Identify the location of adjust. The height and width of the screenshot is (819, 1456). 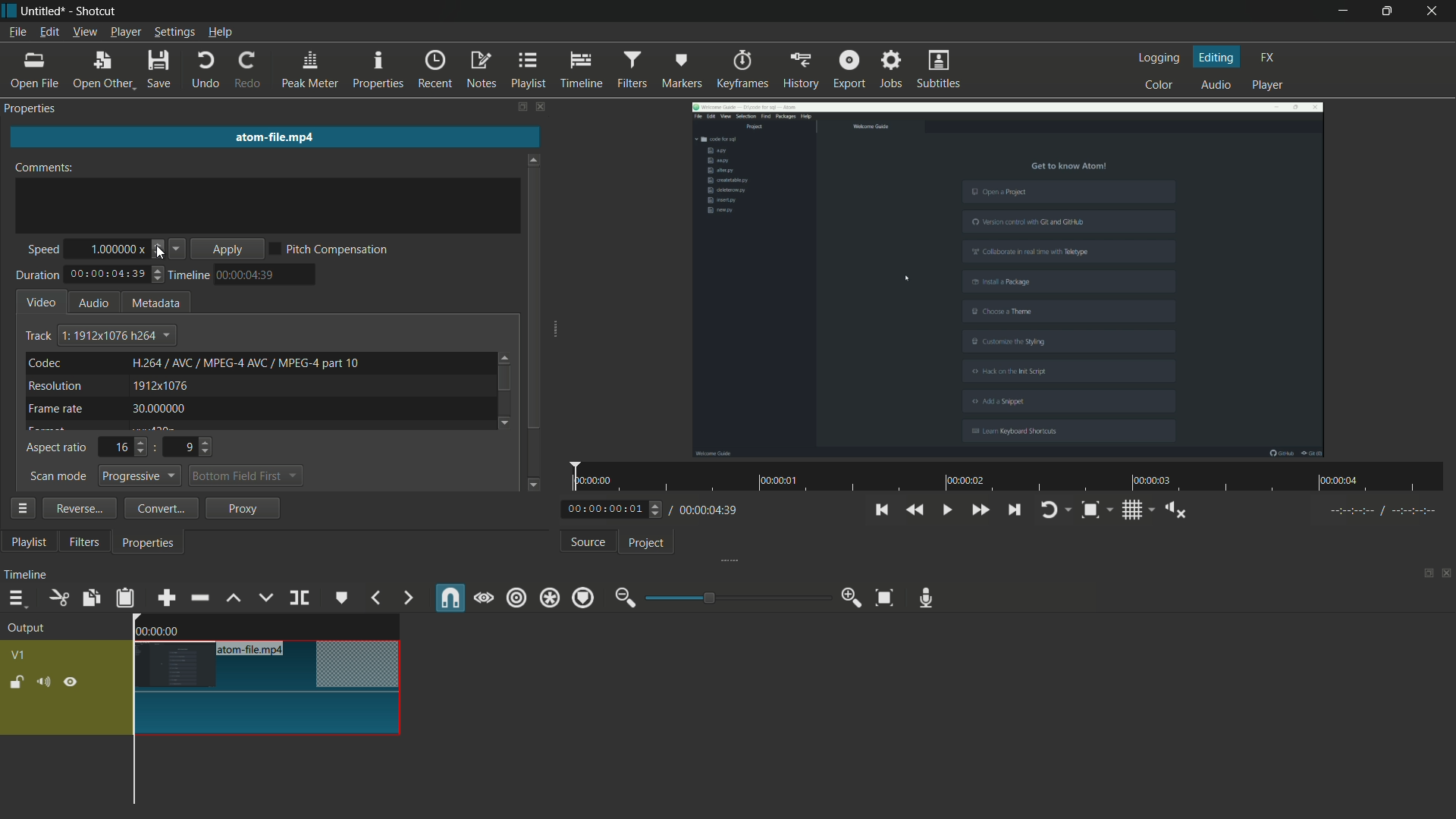
(159, 278).